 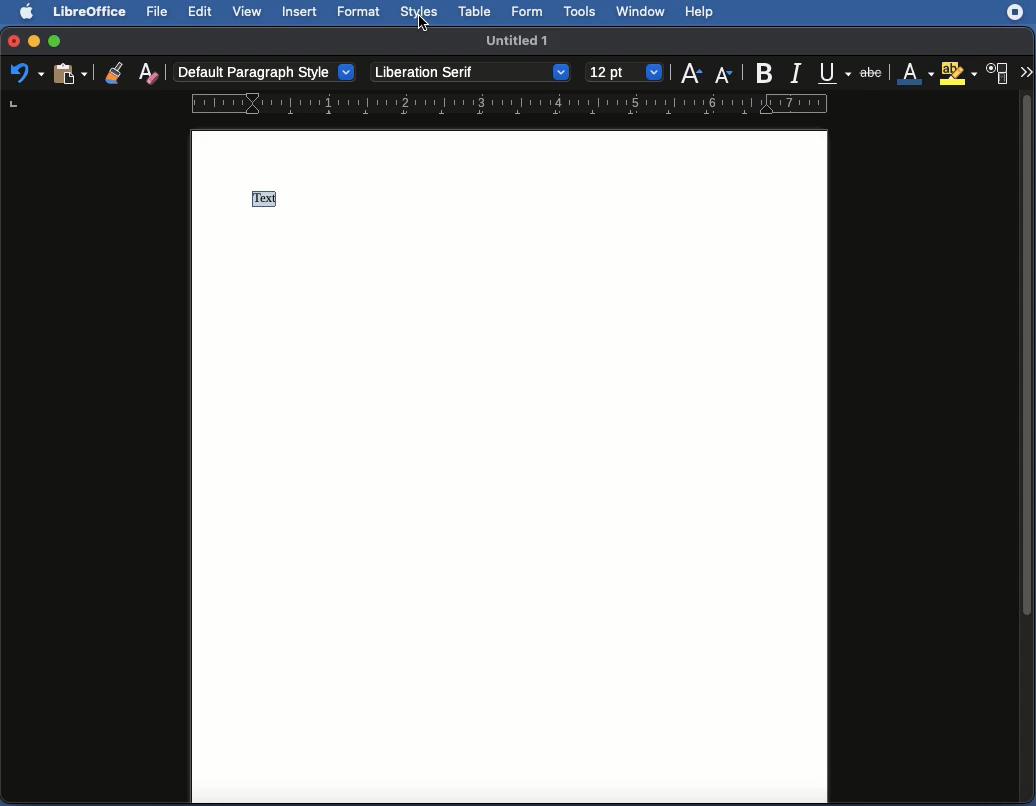 I want to click on Undo, so click(x=26, y=74).